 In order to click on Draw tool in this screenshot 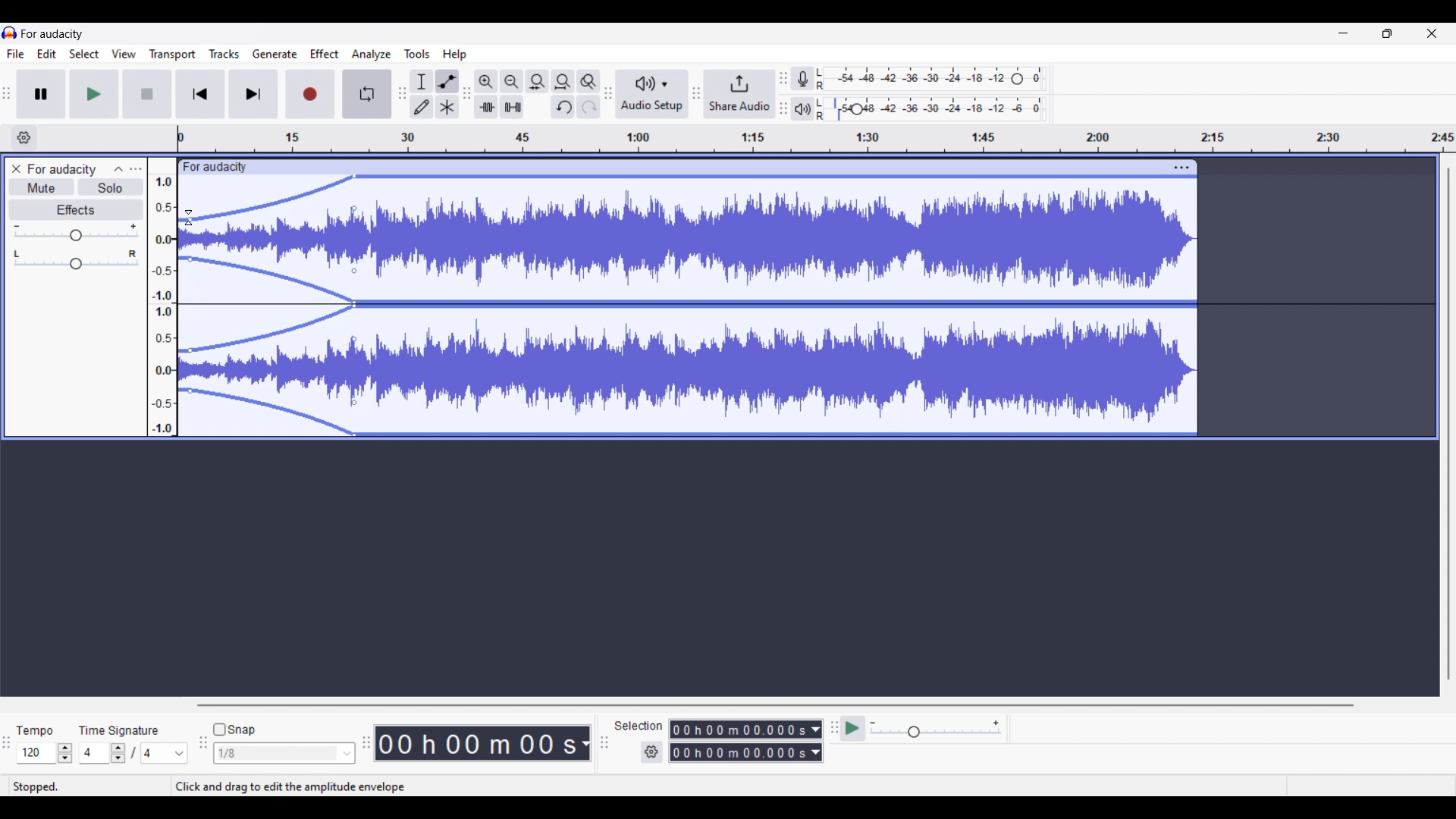, I will do `click(422, 106)`.